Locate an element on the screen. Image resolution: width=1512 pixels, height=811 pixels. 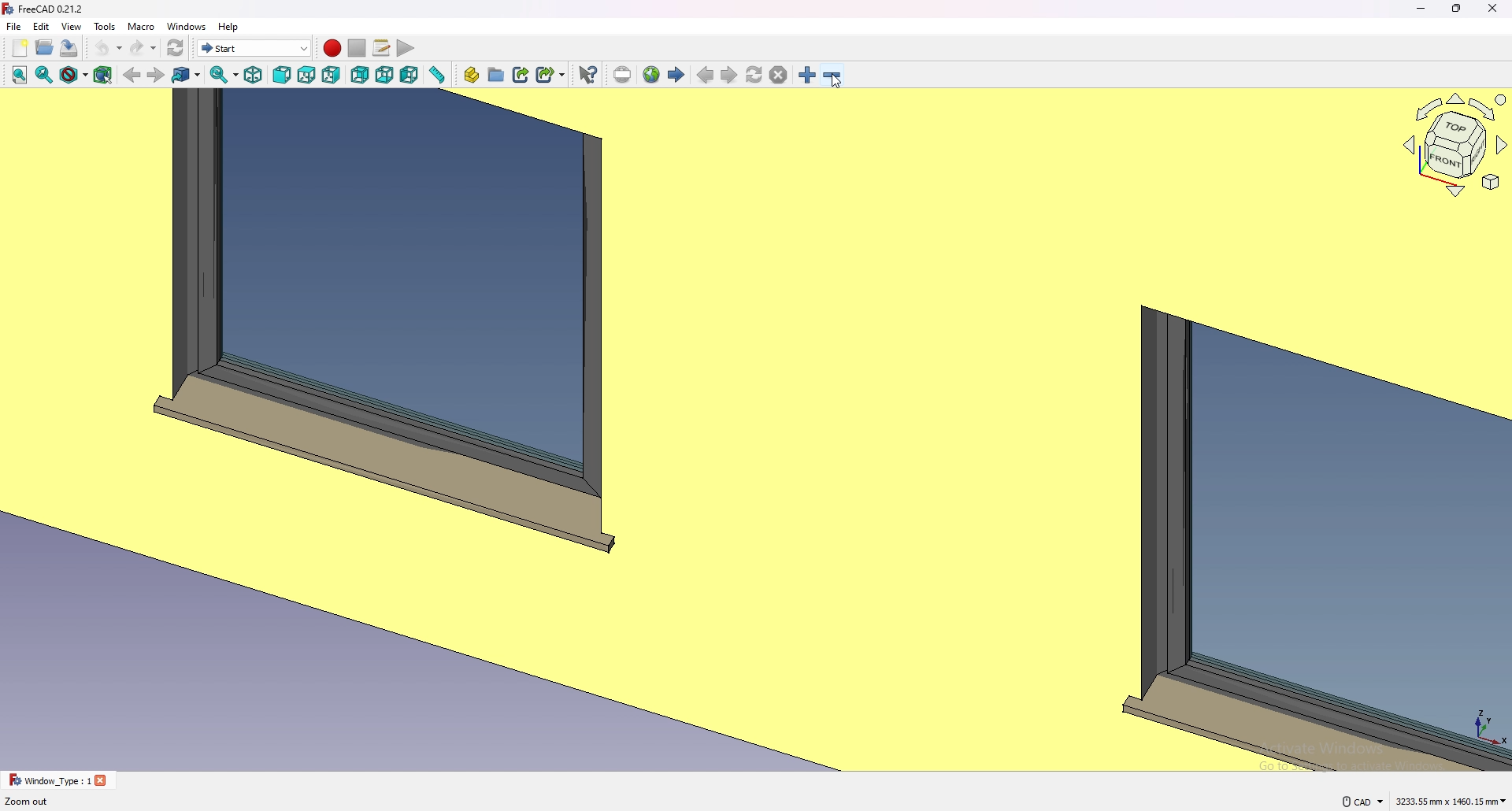
file is located at coordinates (14, 26).